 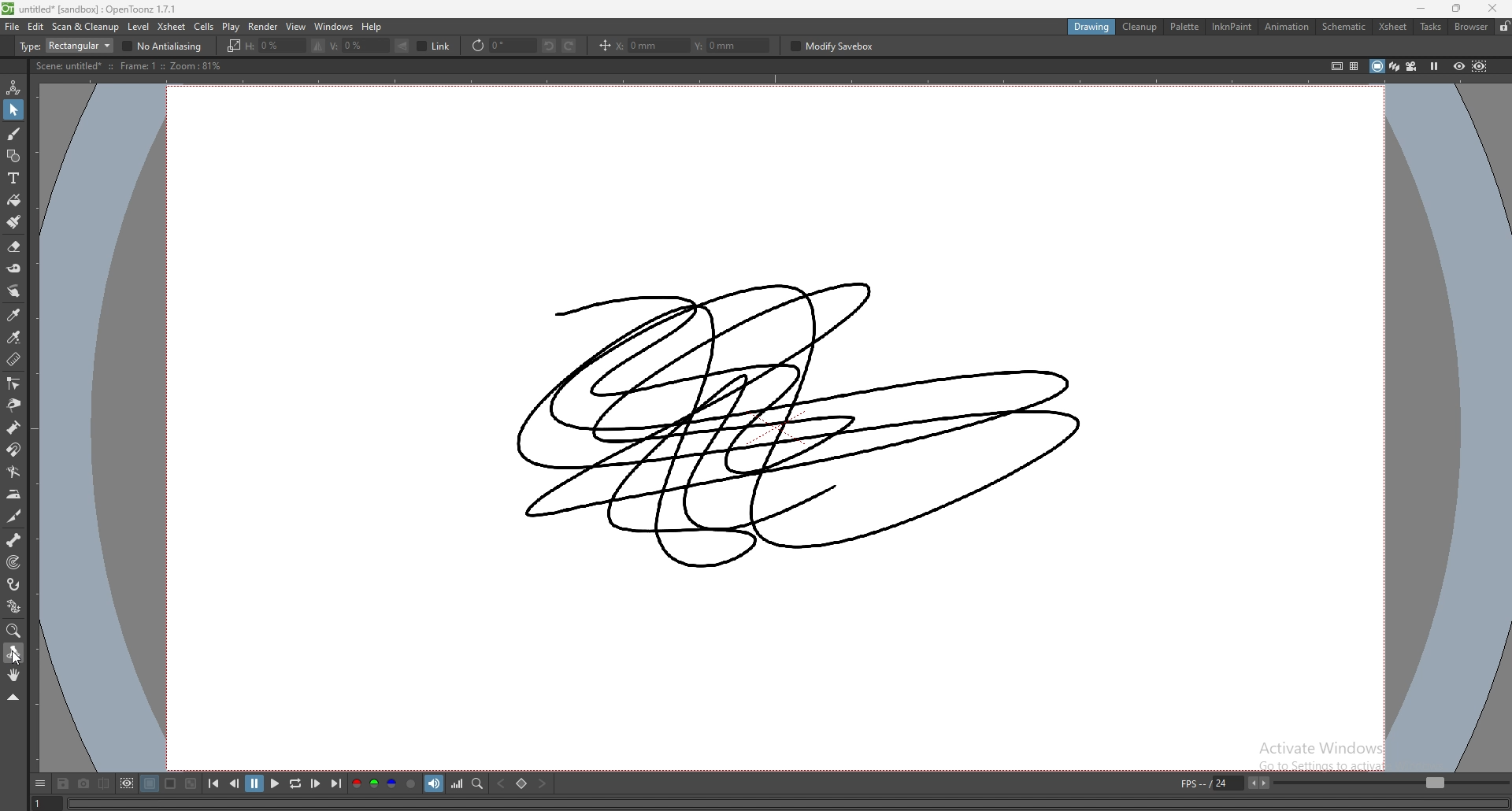 I want to click on red channel, so click(x=356, y=784).